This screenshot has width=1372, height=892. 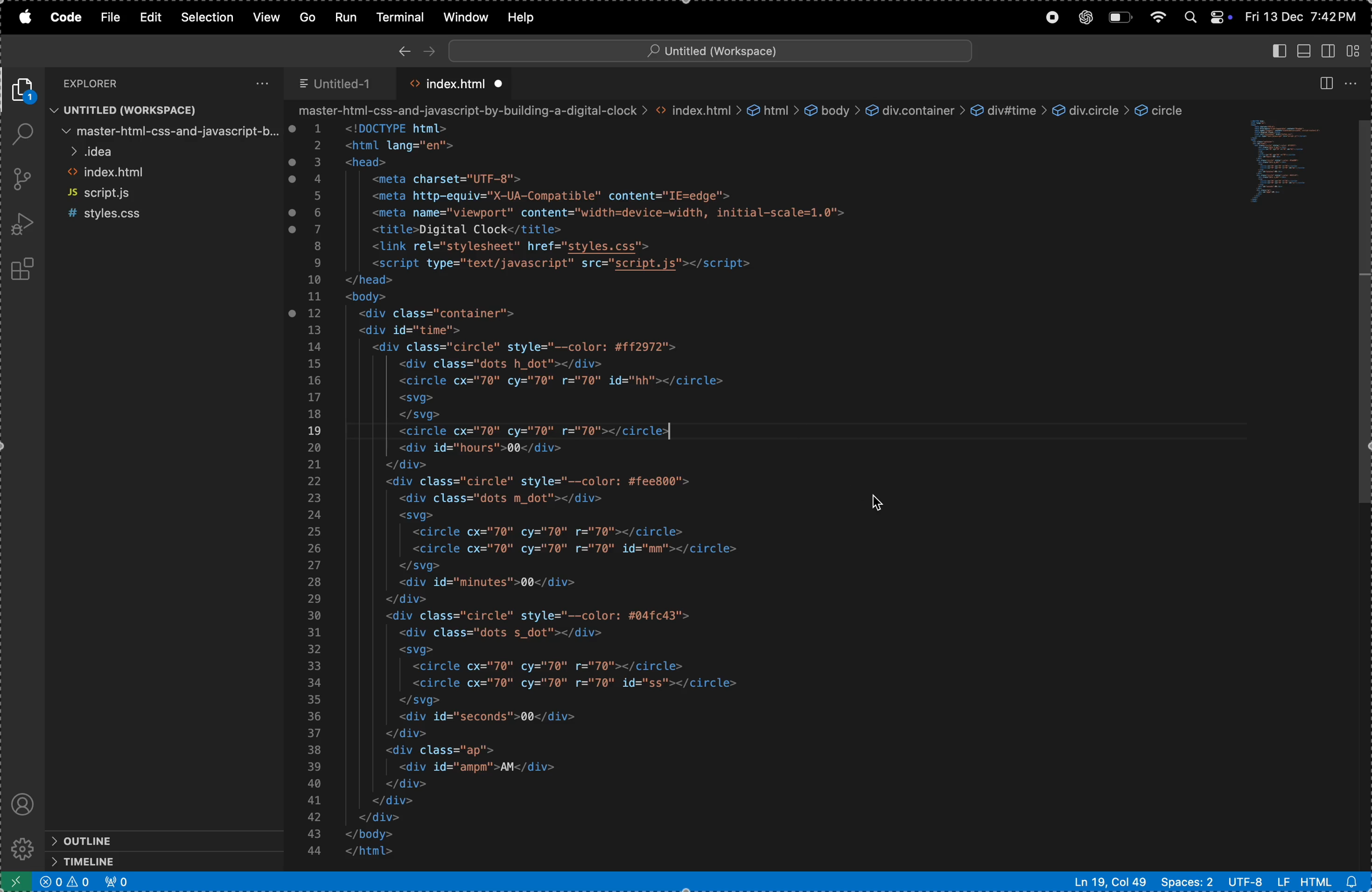 I want to click on toggle primary side bar, so click(x=1279, y=52).